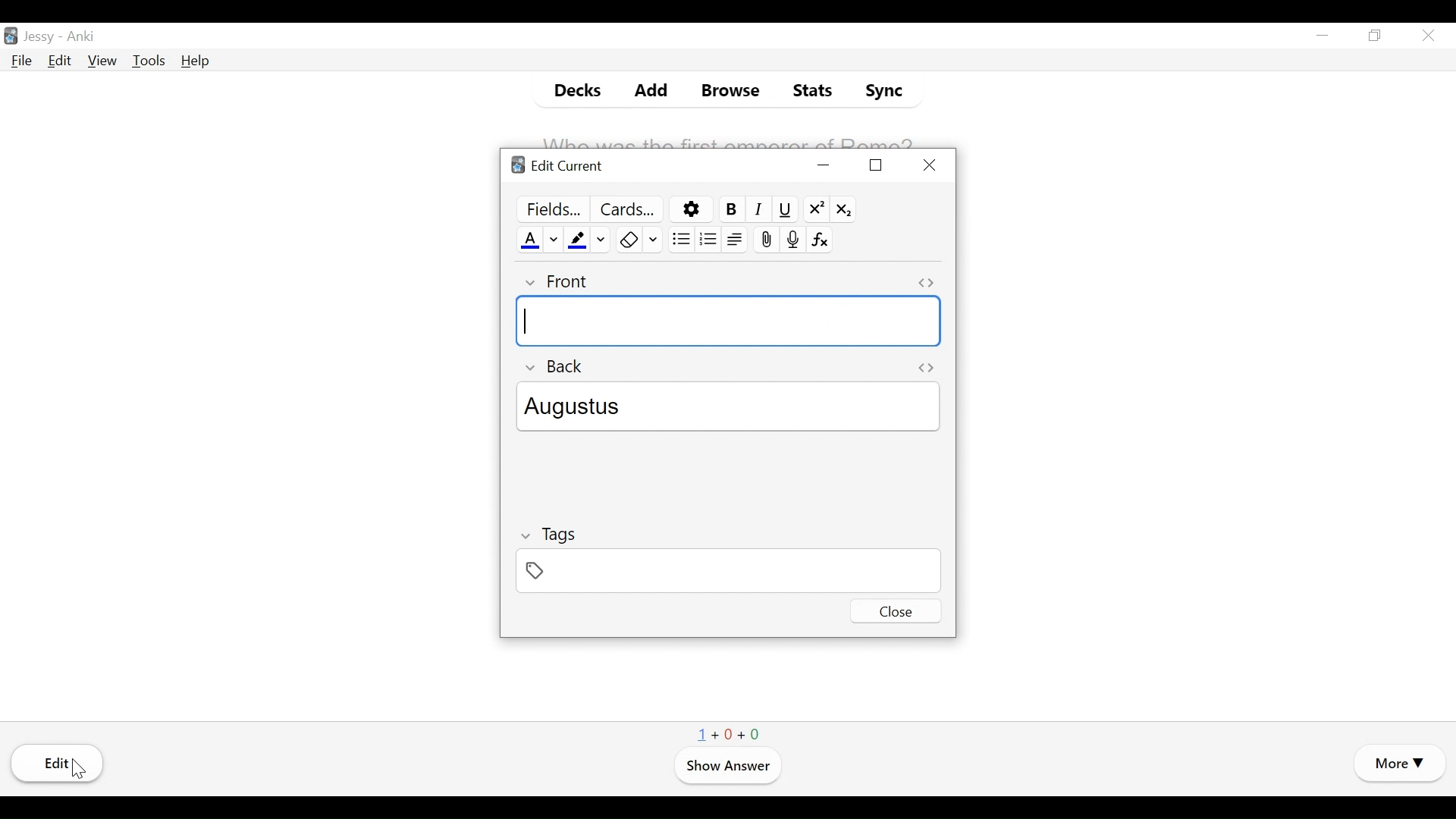 The width and height of the screenshot is (1456, 819). What do you see at coordinates (816, 209) in the screenshot?
I see `Superscript` at bounding box center [816, 209].